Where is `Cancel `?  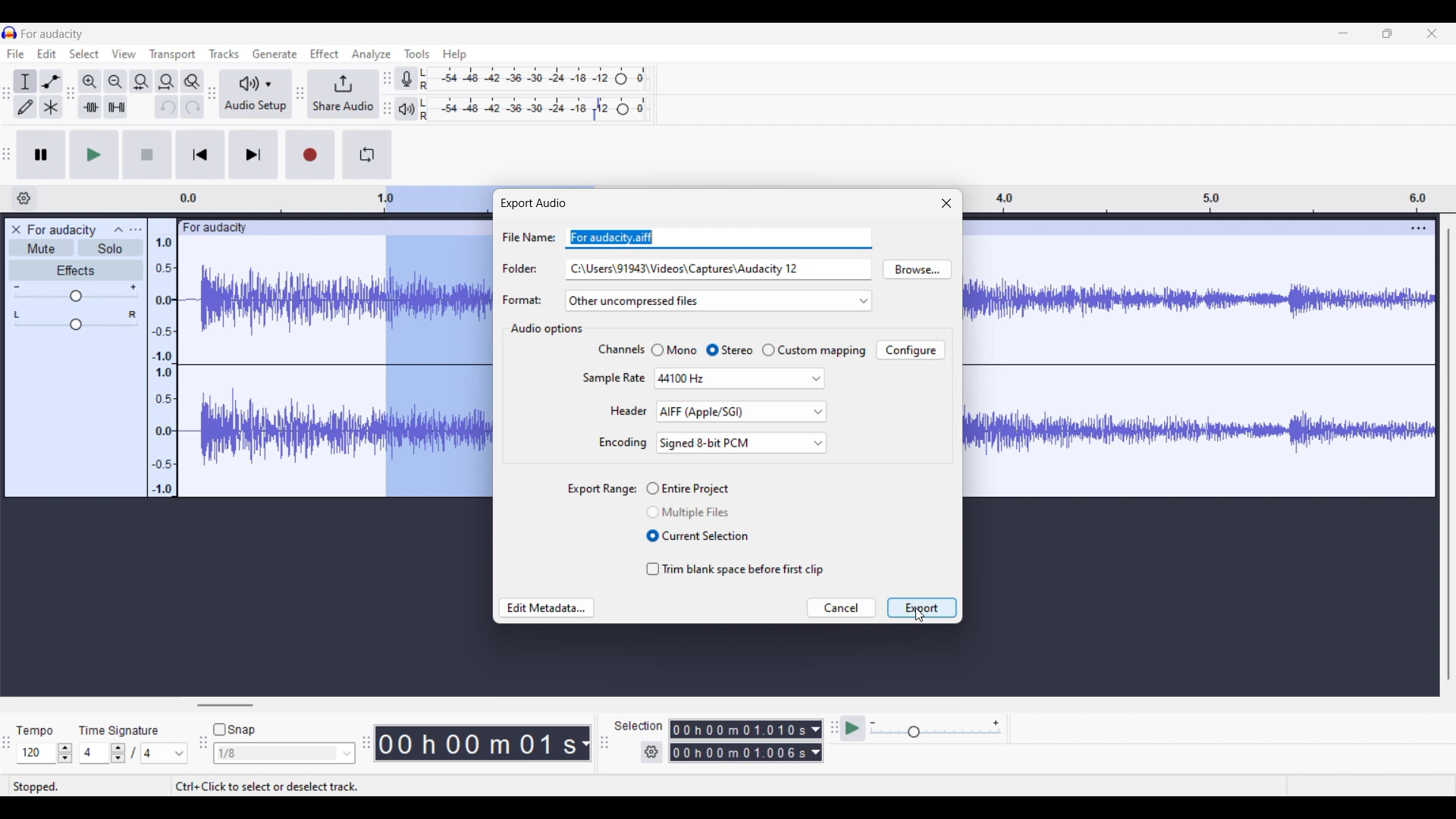
Cancel  is located at coordinates (841, 608).